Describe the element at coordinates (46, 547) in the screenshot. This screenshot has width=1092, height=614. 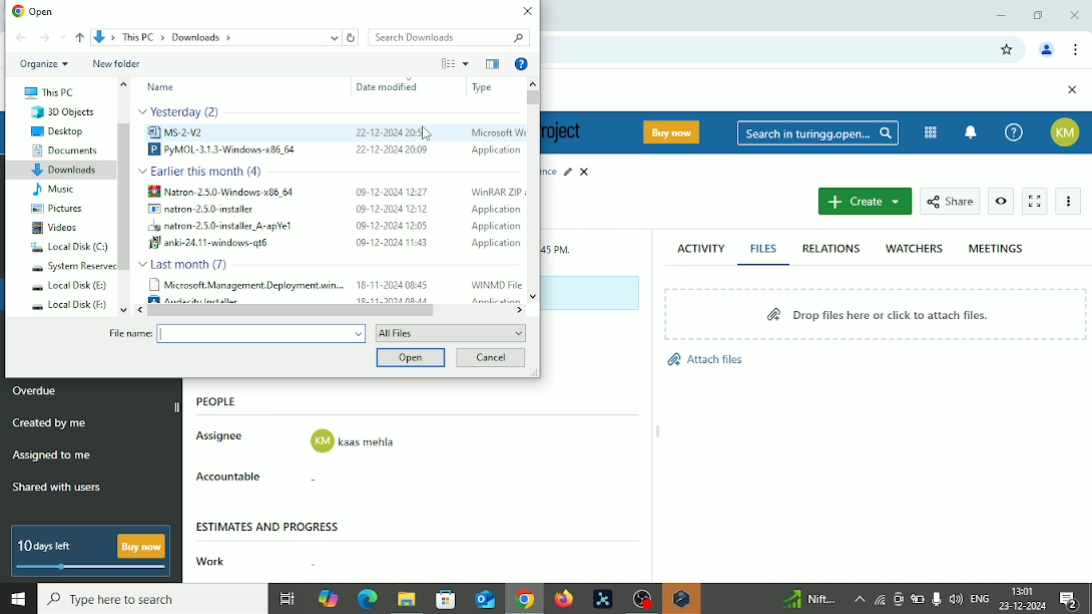
I see `10 days left` at that location.